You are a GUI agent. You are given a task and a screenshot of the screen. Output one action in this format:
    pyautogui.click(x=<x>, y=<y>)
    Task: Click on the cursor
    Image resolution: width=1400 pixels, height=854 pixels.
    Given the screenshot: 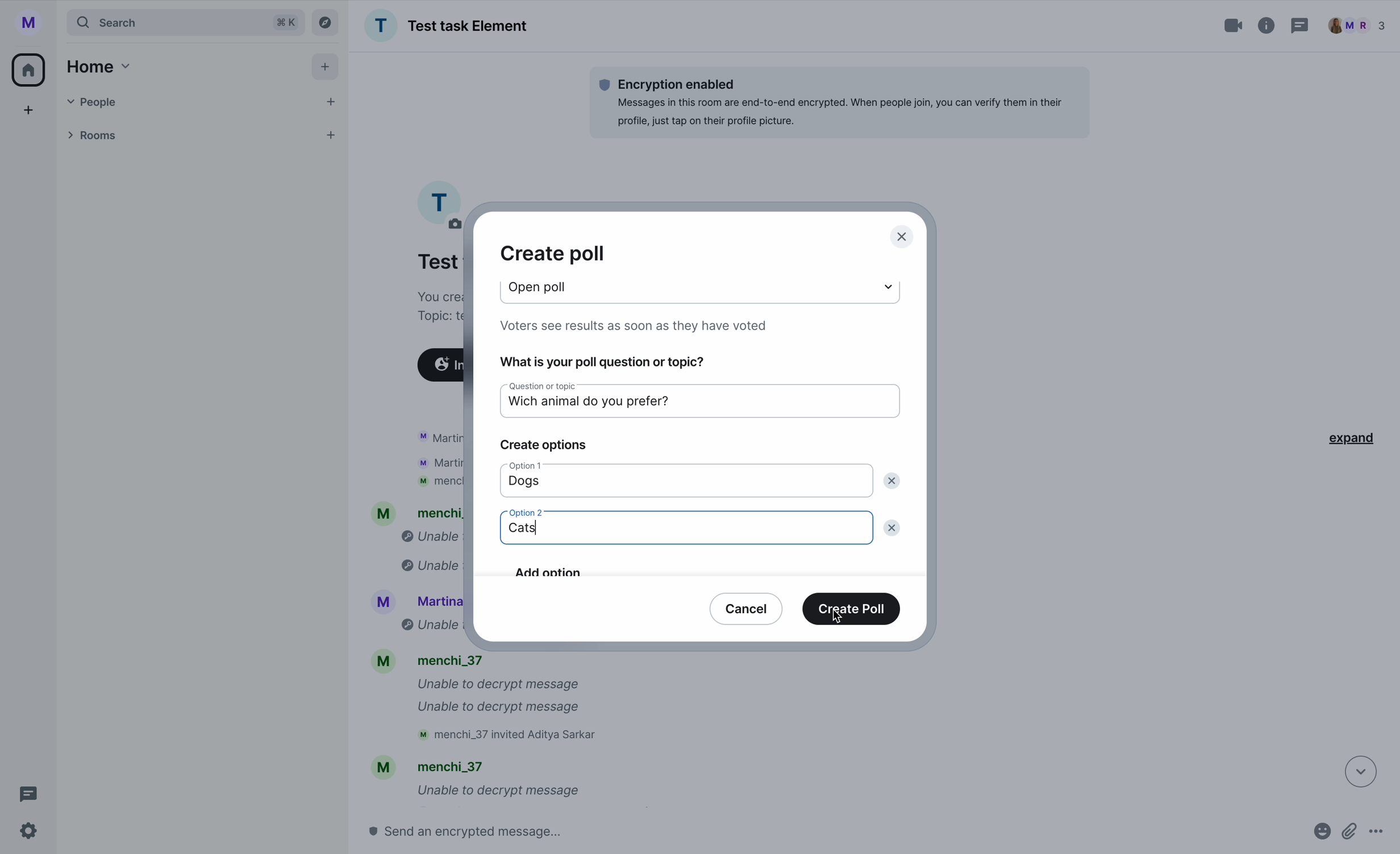 What is the action you would take?
    pyautogui.click(x=841, y=619)
    